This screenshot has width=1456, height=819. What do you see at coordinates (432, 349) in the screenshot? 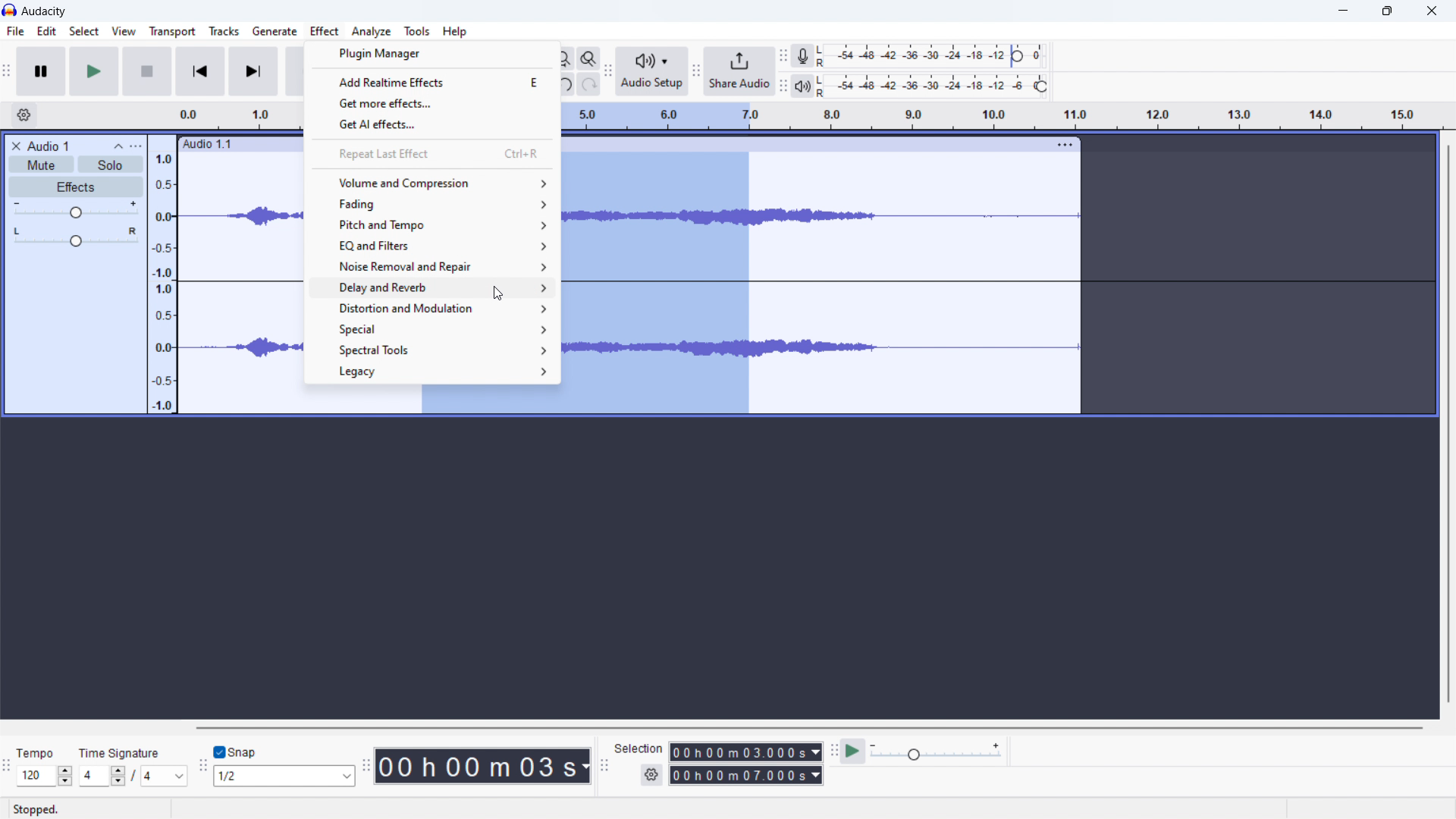
I see `spectral tools` at bounding box center [432, 349].